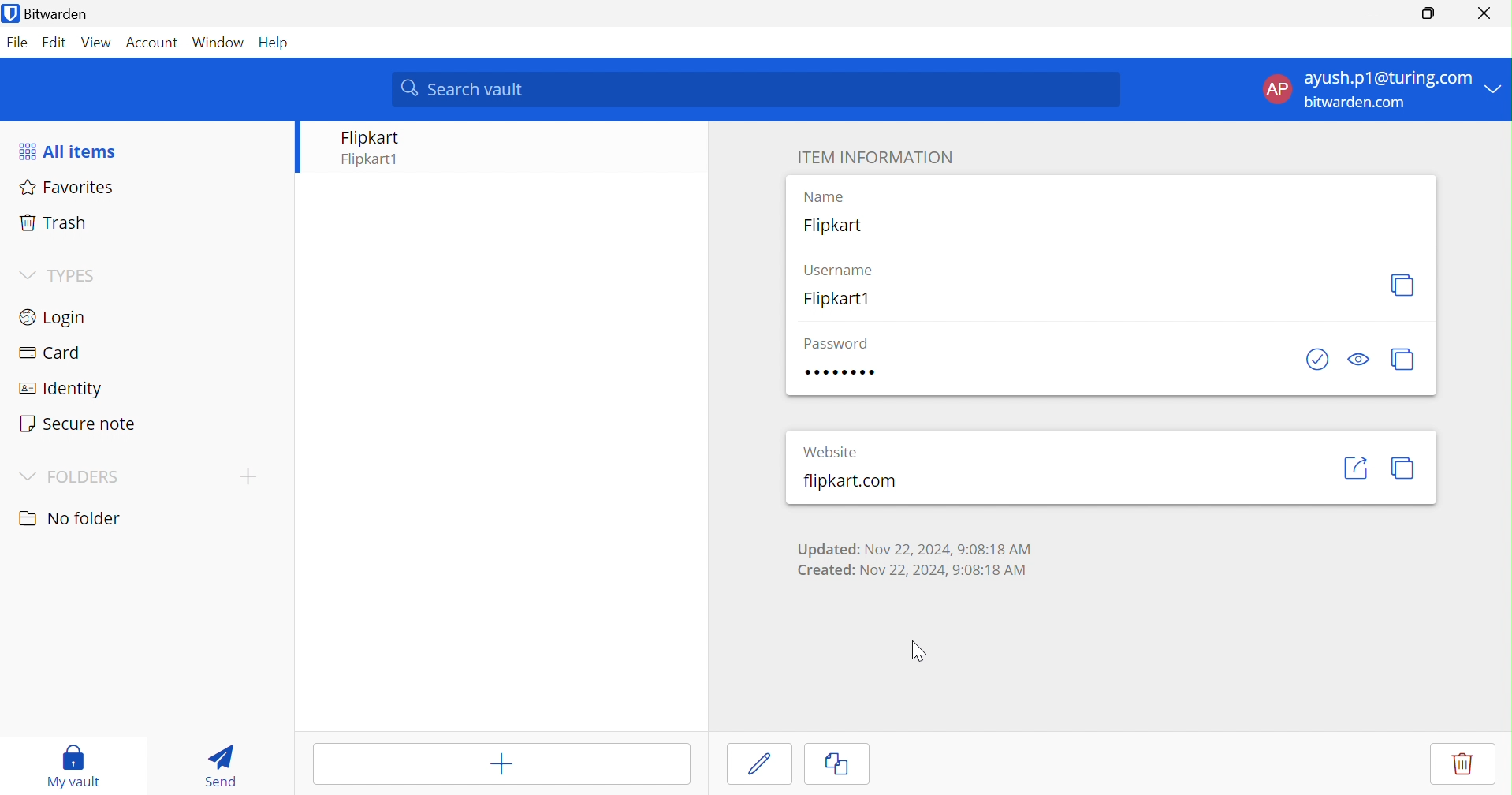 The width and height of the screenshot is (1512, 795). I want to click on bitwarden.com, so click(1362, 104).